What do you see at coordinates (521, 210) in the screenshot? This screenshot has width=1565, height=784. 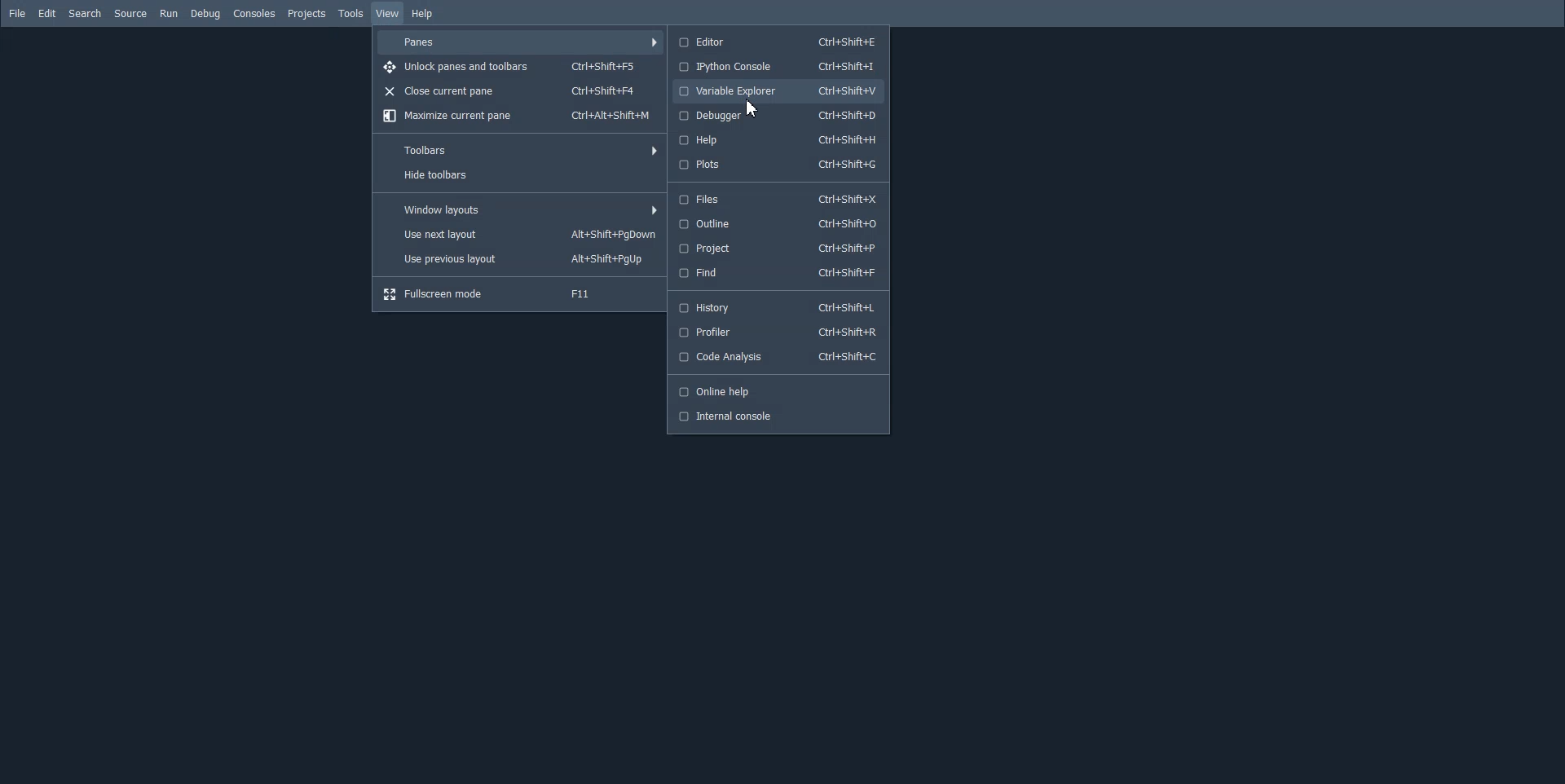 I see `Window layout` at bounding box center [521, 210].